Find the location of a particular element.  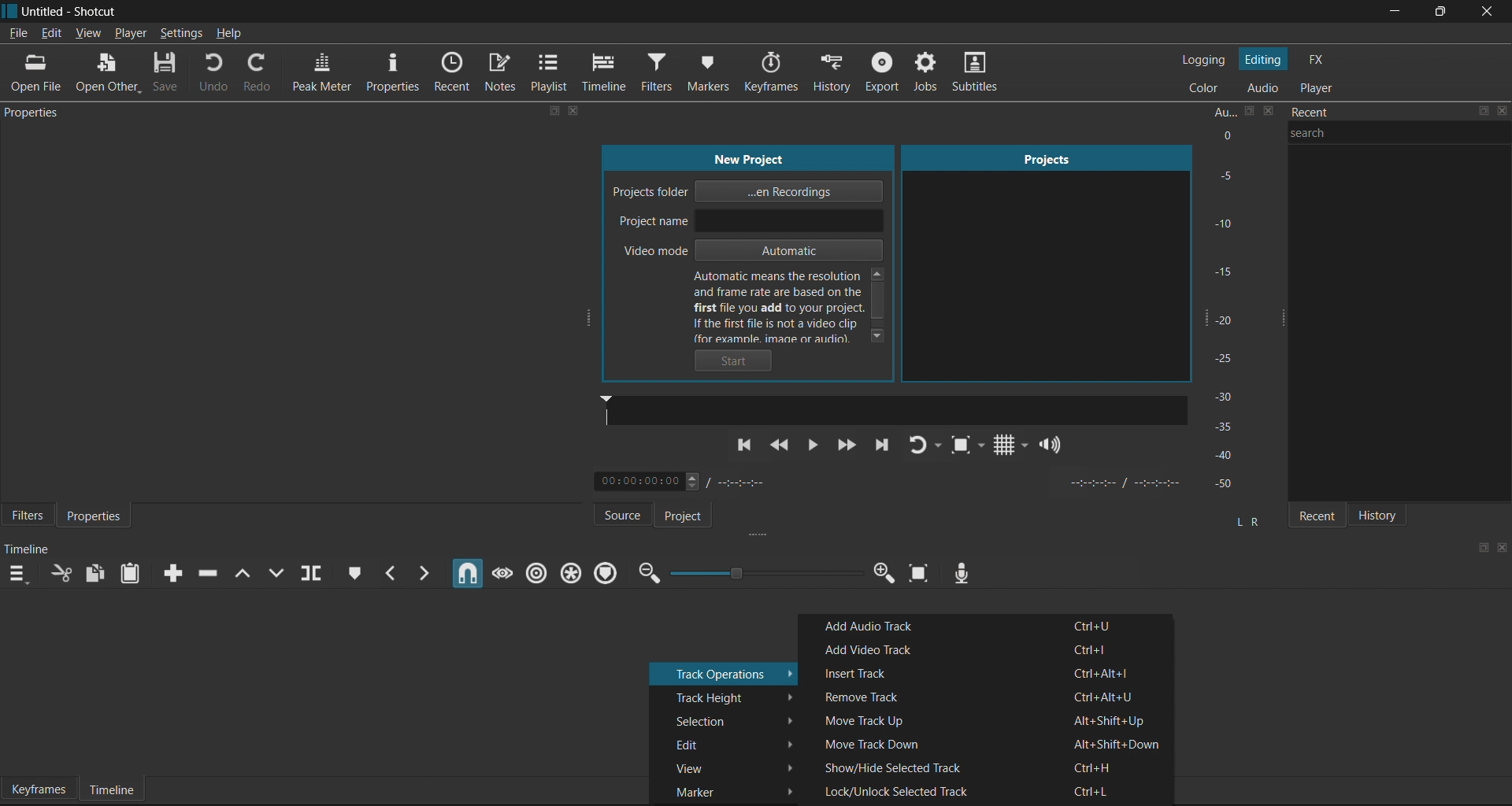

History is located at coordinates (1385, 513).